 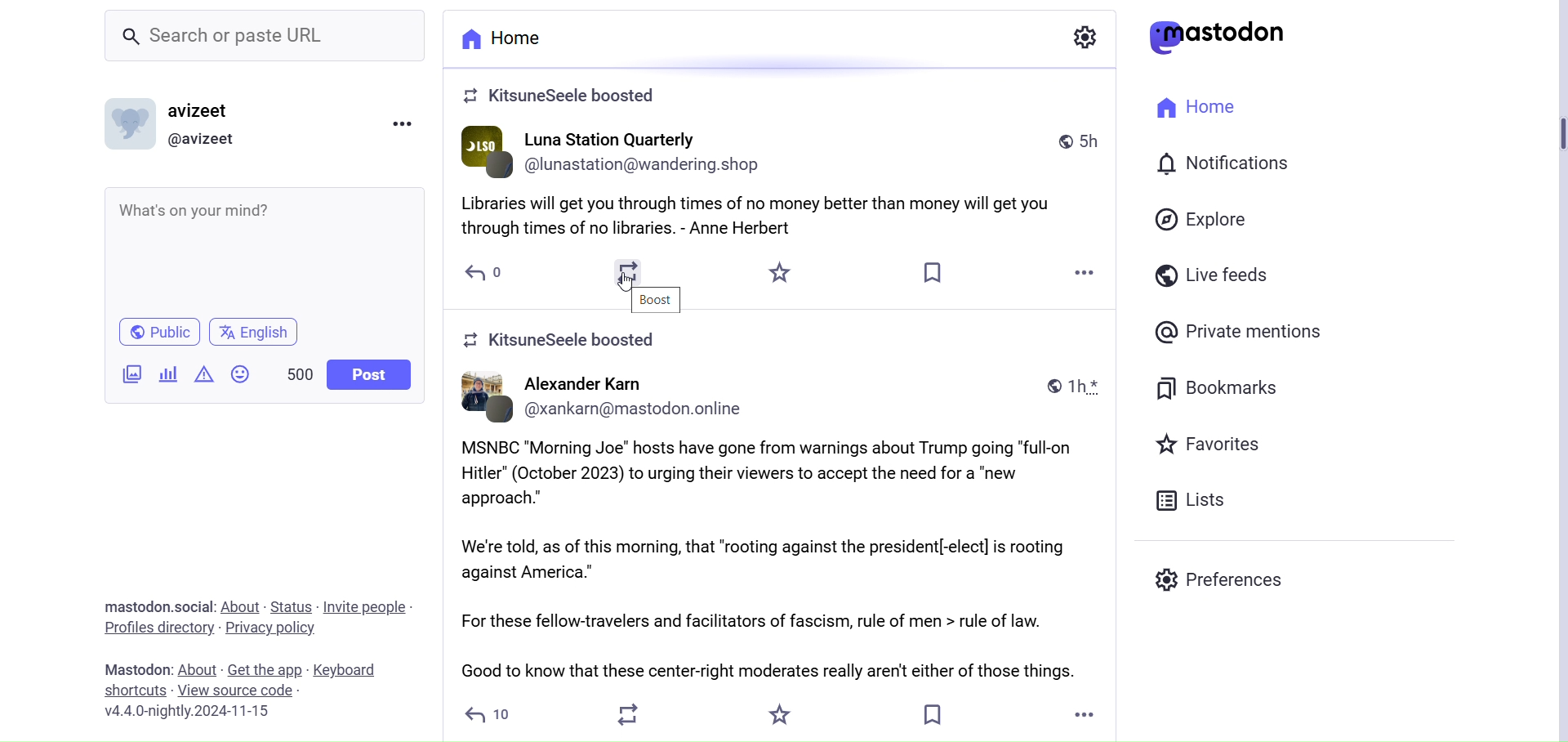 What do you see at coordinates (1219, 391) in the screenshot?
I see `Bookmasrks` at bounding box center [1219, 391].